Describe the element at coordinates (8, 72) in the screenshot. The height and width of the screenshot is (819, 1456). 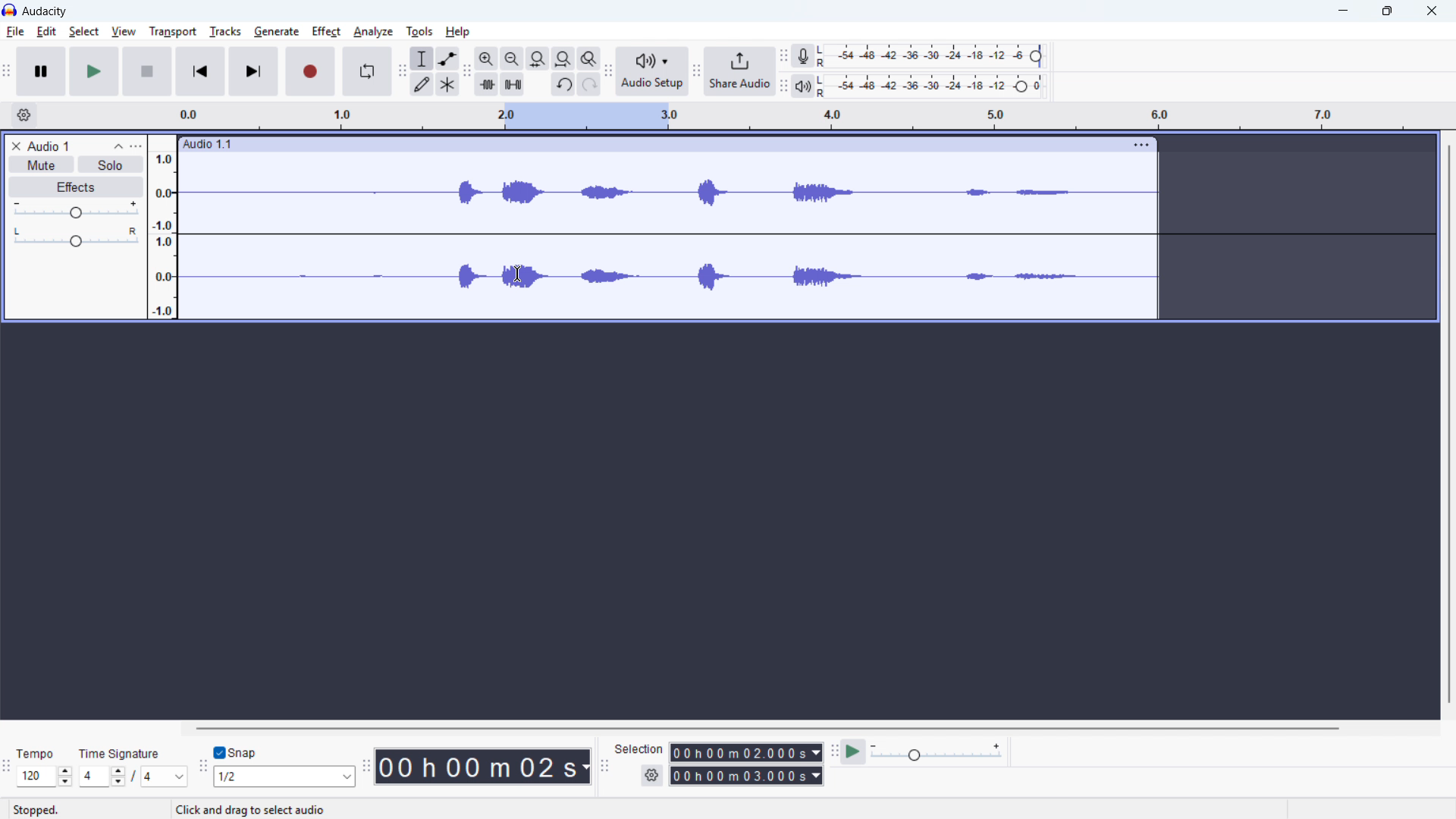
I see `Transport toolbar` at that location.